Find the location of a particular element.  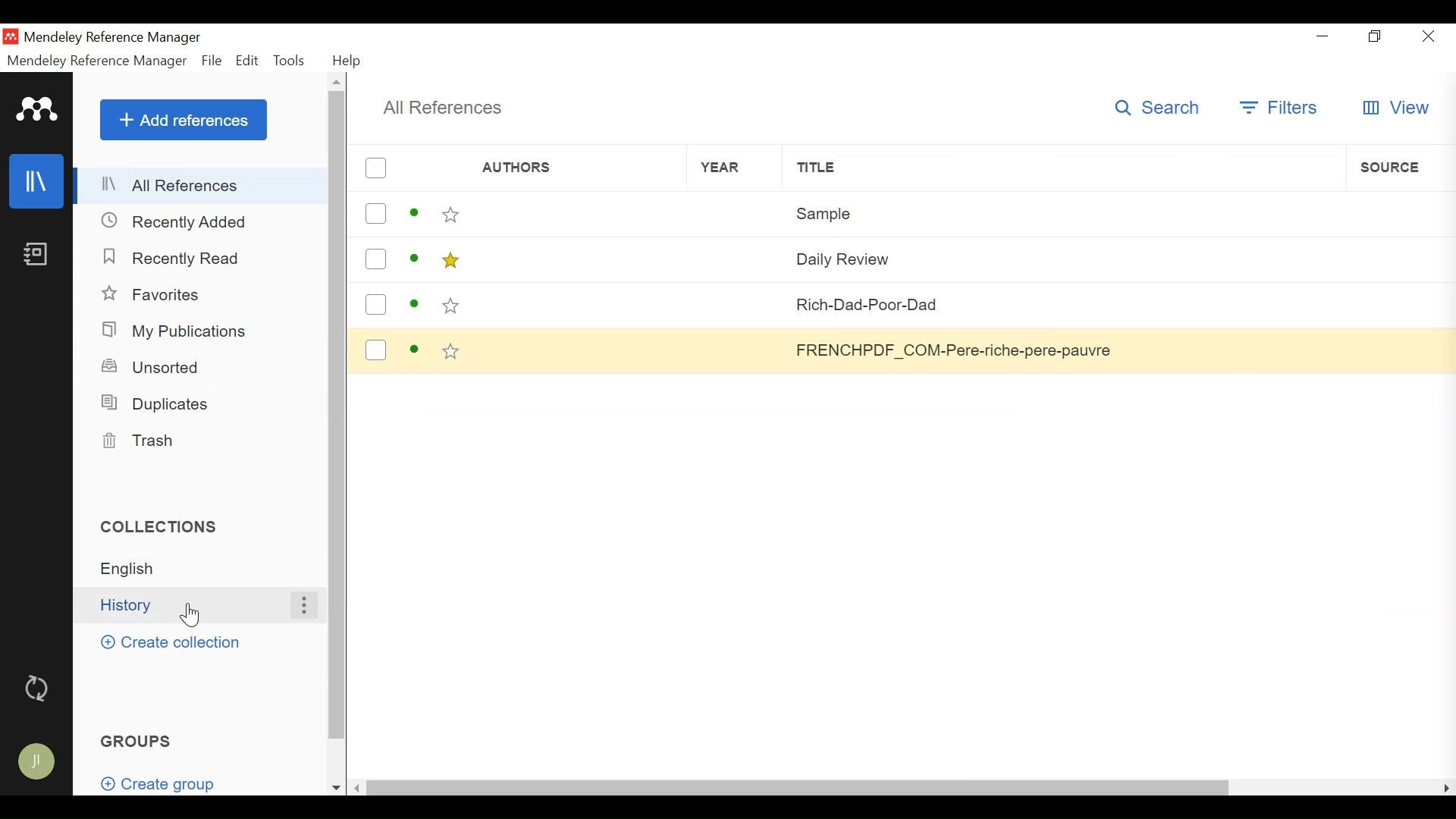

Restore is located at coordinates (1376, 37).